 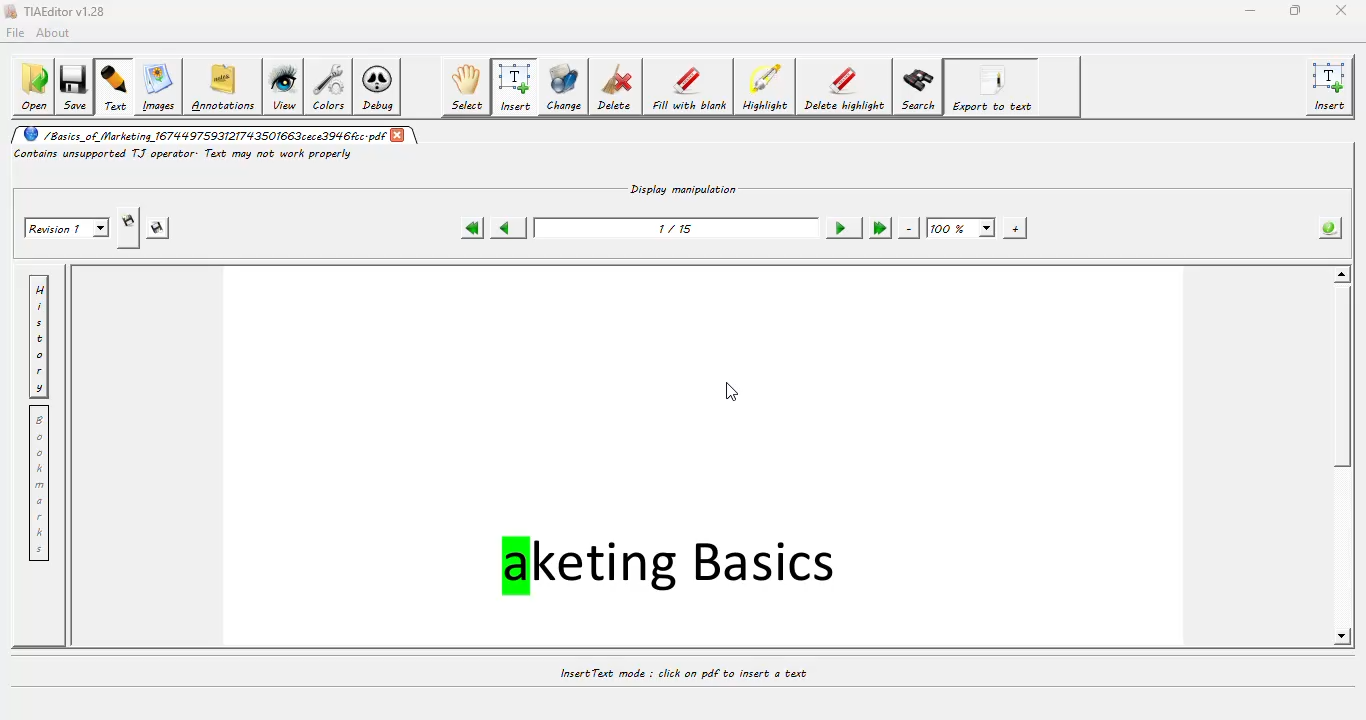 I want to click on previous page, so click(x=506, y=226).